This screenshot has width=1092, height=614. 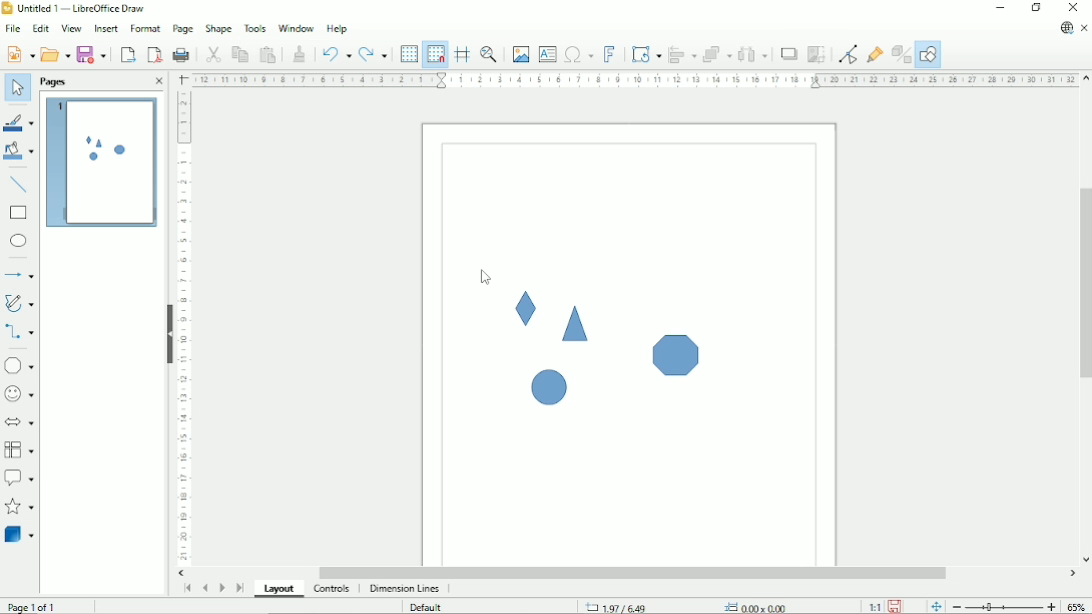 I want to click on Insert special characters, so click(x=578, y=55).